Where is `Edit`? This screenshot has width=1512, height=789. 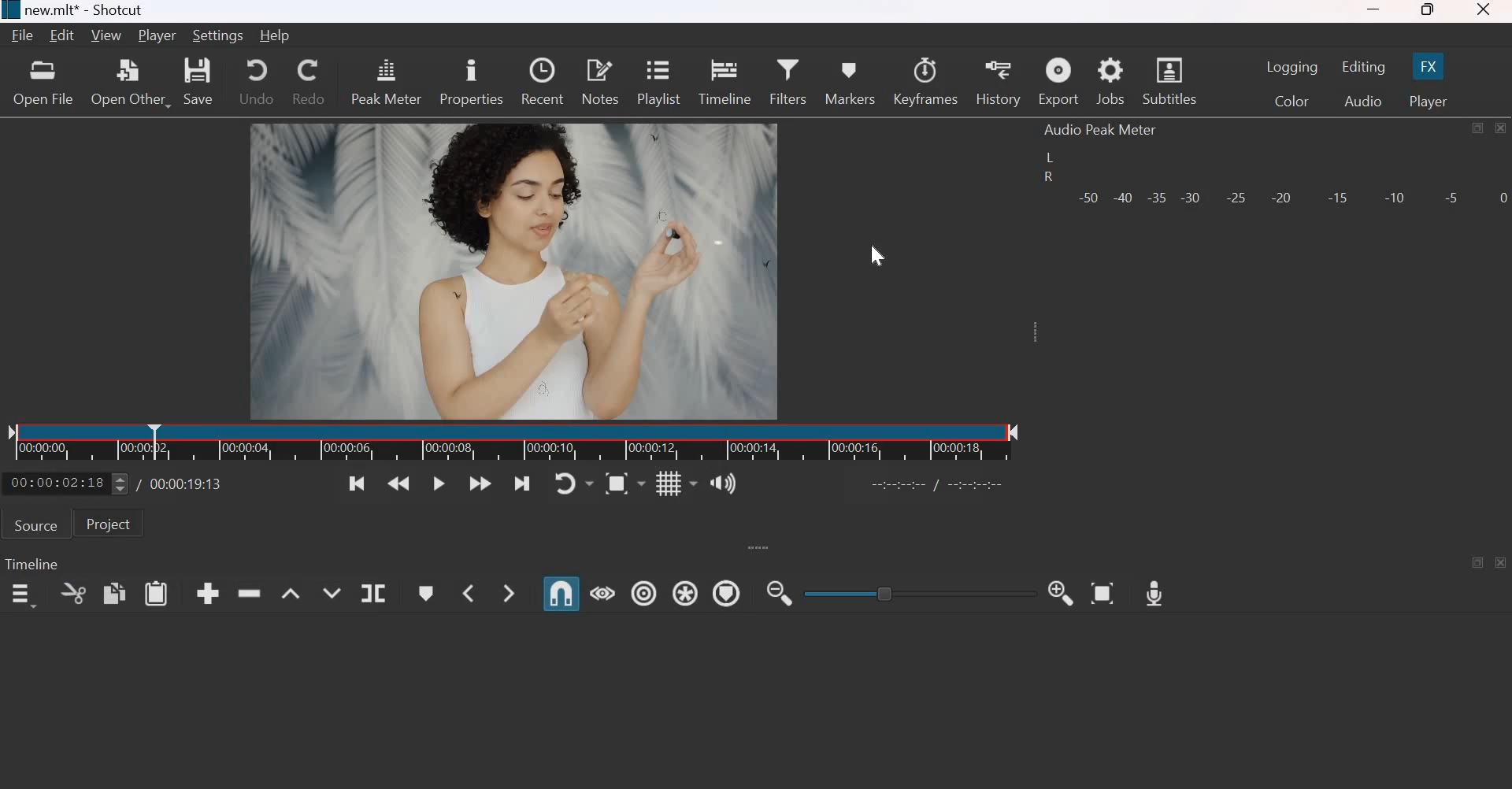
Edit is located at coordinates (64, 36).